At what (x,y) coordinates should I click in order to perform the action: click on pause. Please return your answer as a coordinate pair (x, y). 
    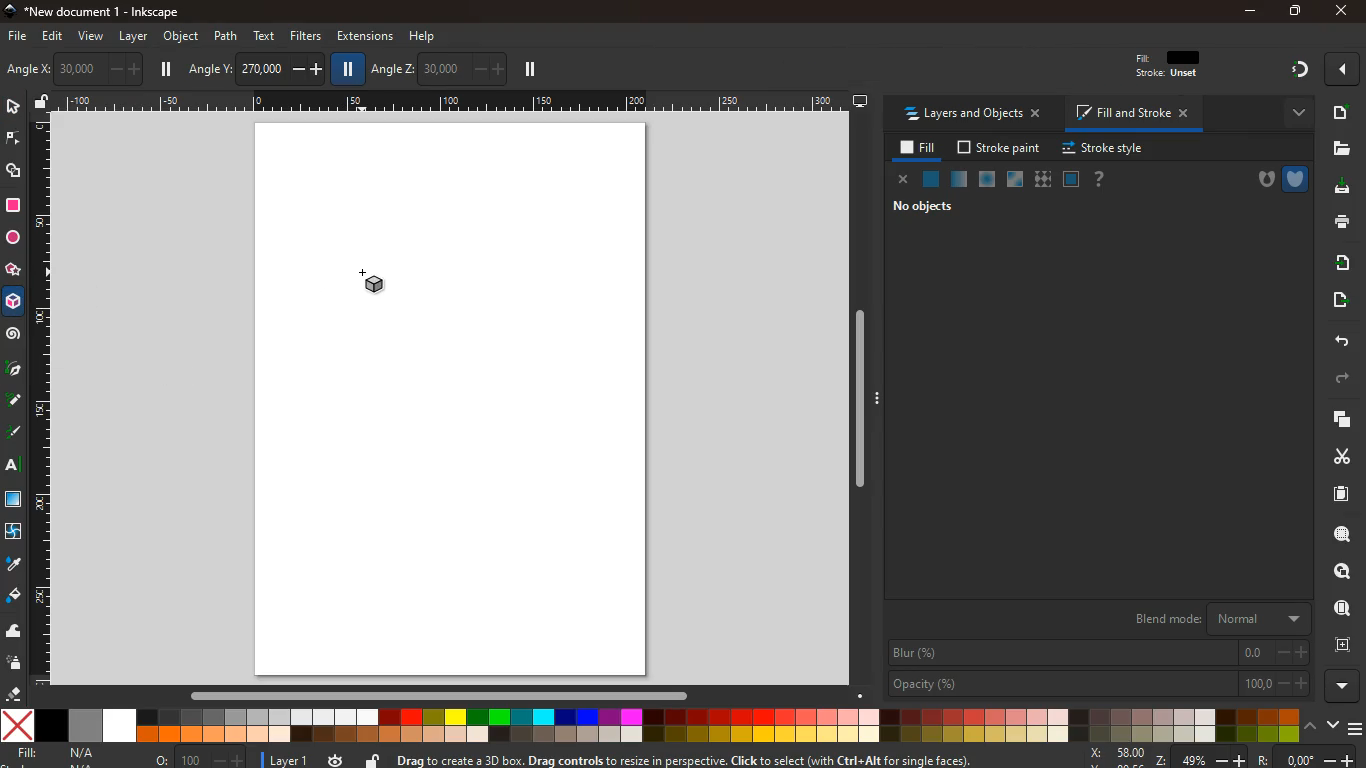
    Looking at the image, I should click on (529, 70).